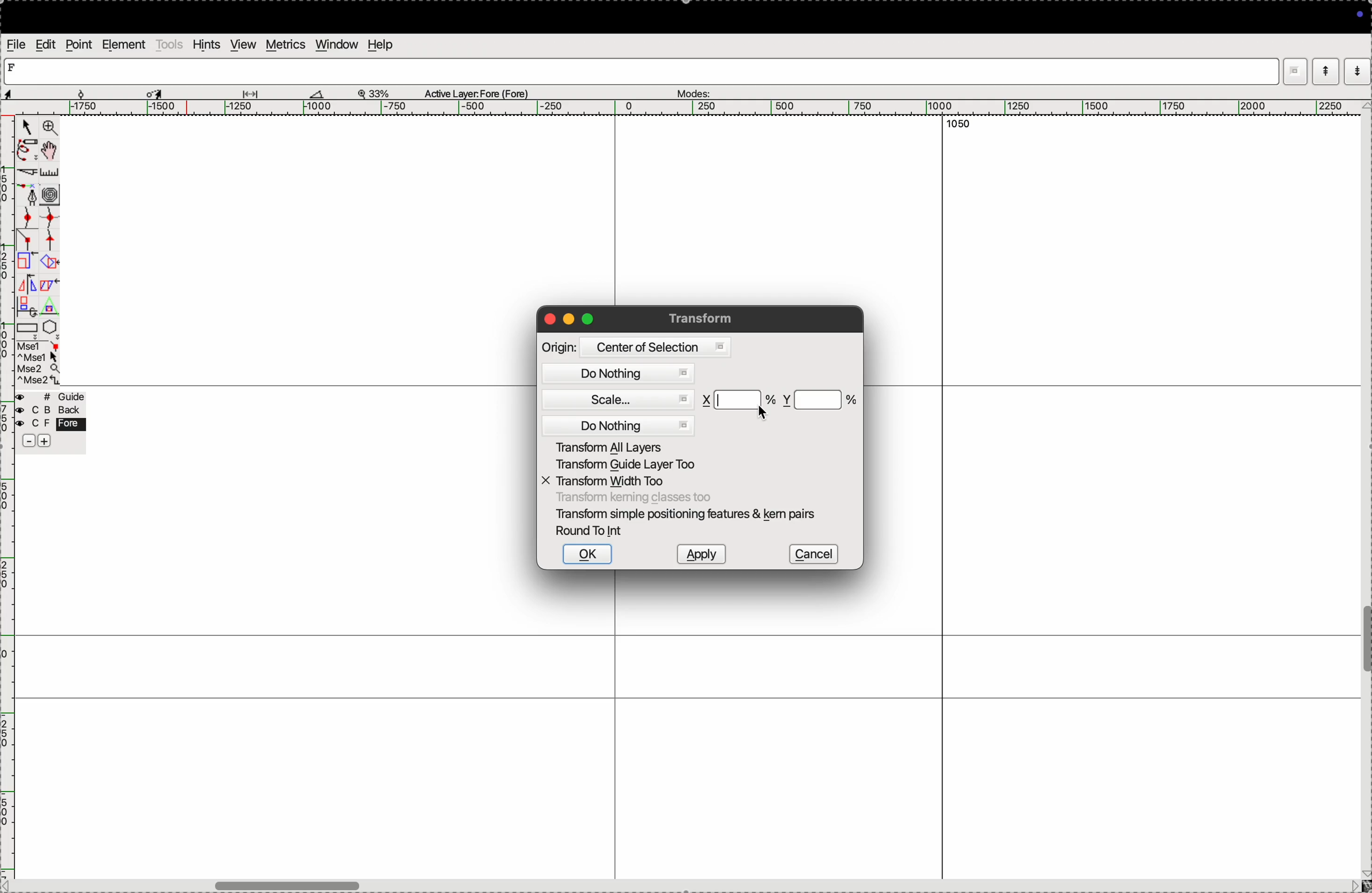 This screenshot has width=1372, height=893. Describe the element at coordinates (689, 514) in the screenshot. I see `transform smple postioning features ` at that location.